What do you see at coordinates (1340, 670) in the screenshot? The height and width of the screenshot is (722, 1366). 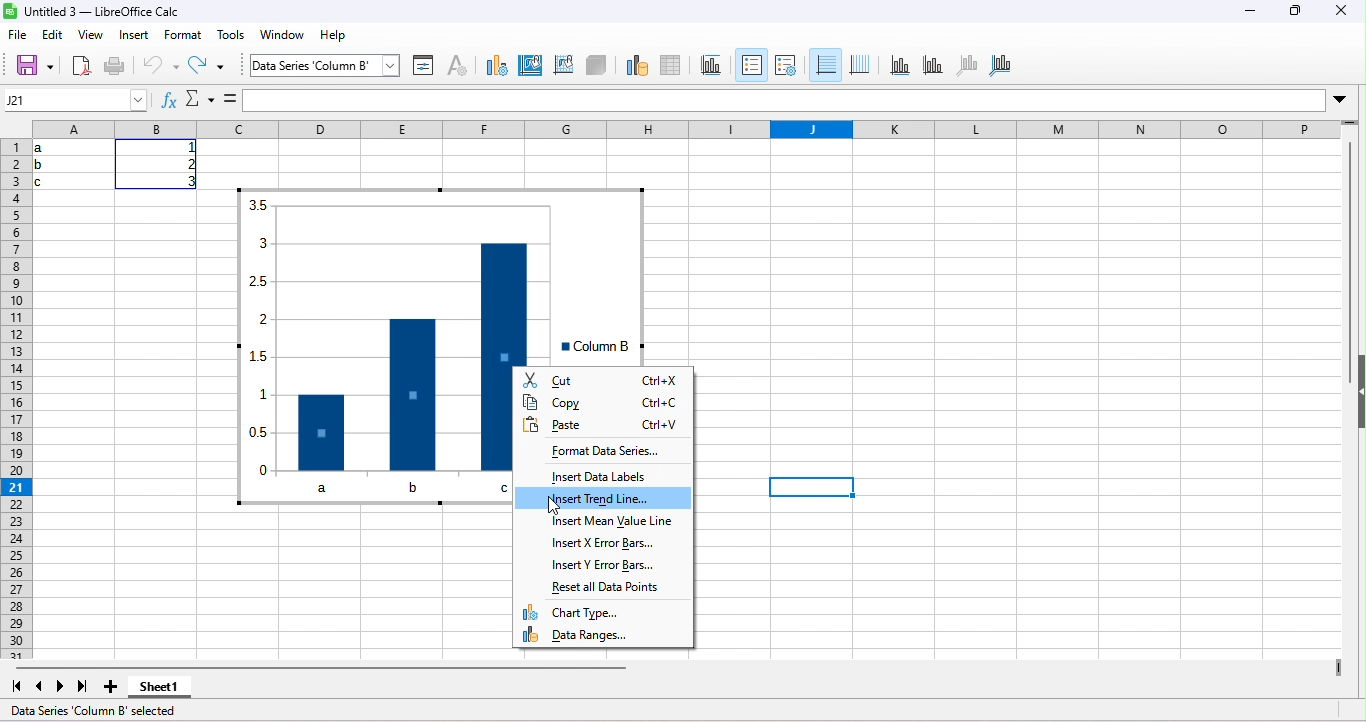 I see `view more columns` at bounding box center [1340, 670].